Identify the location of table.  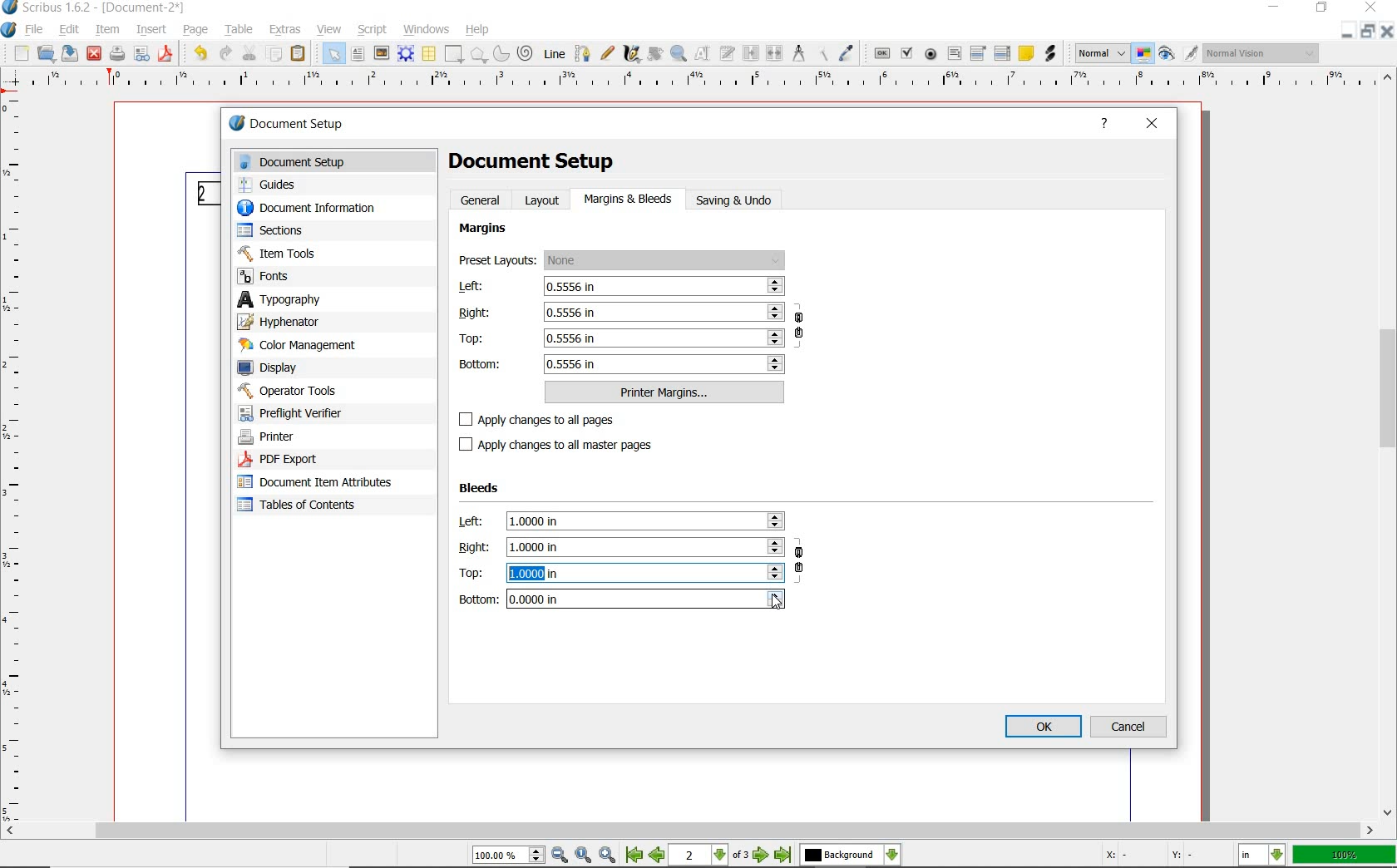
(240, 31).